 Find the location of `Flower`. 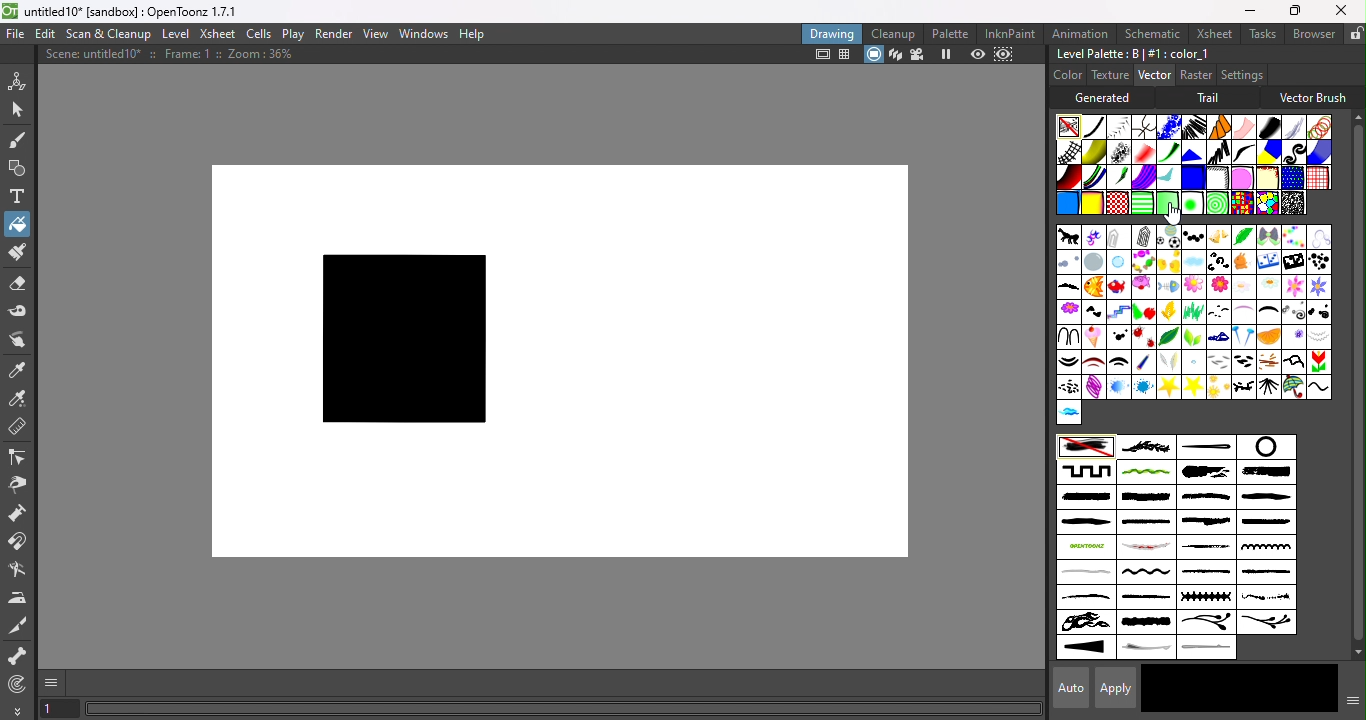

Flower is located at coordinates (1067, 311).